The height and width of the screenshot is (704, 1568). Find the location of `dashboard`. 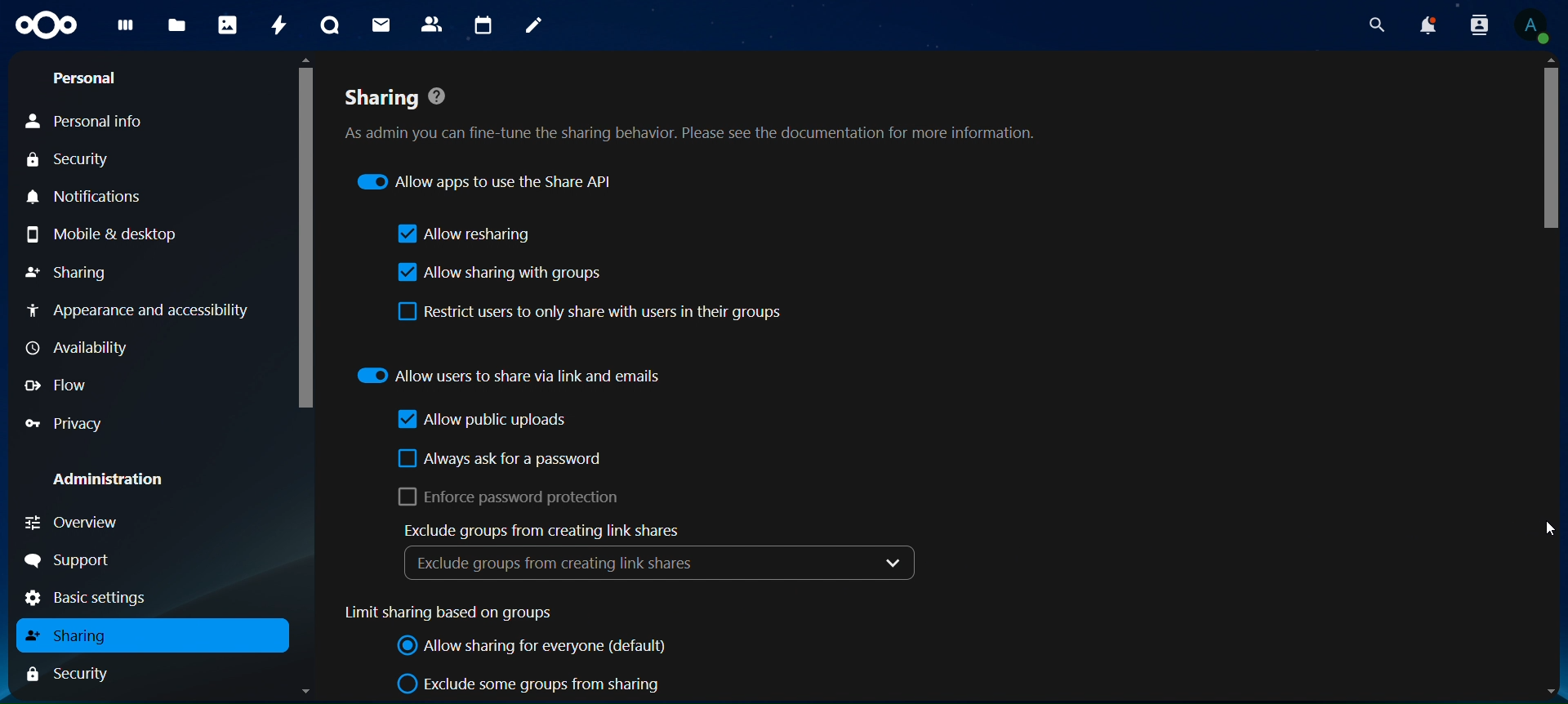

dashboard is located at coordinates (126, 29).